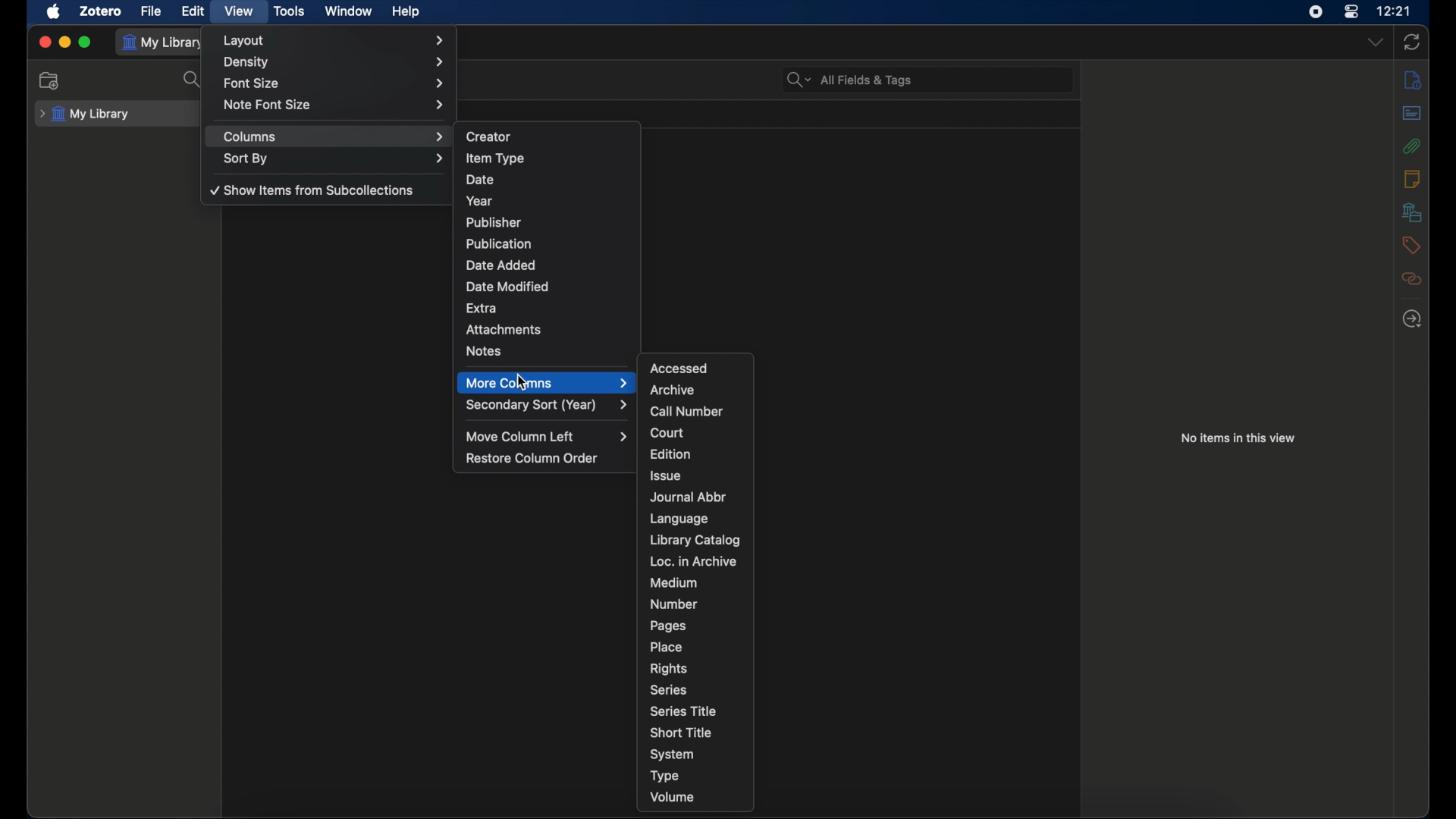 The image size is (1456, 819). What do you see at coordinates (672, 454) in the screenshot?
I see `edition` at bounding box center [672, 454].